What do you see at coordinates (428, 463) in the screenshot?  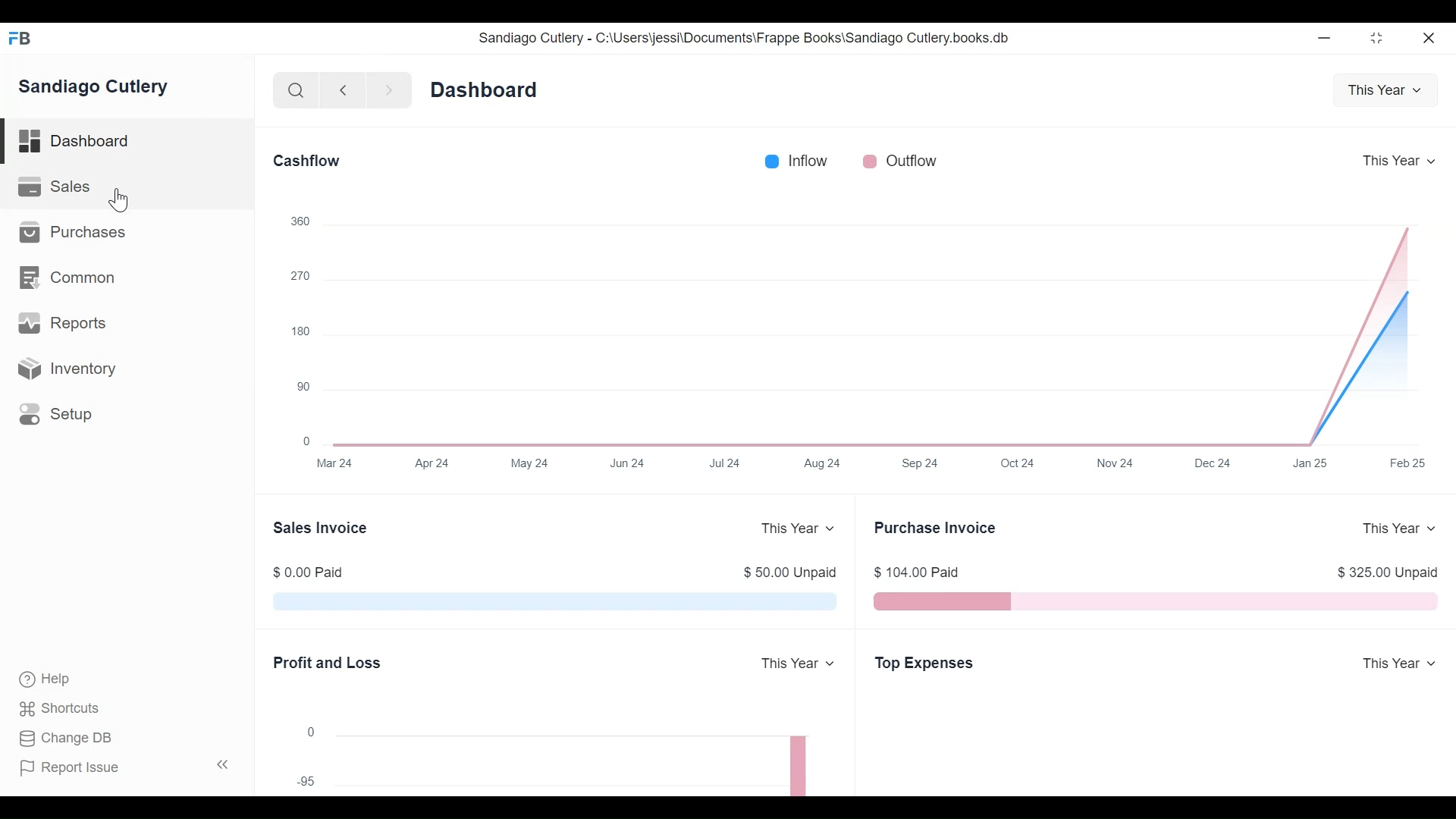 I see `Apr 24` at bounding box center [428, 463].